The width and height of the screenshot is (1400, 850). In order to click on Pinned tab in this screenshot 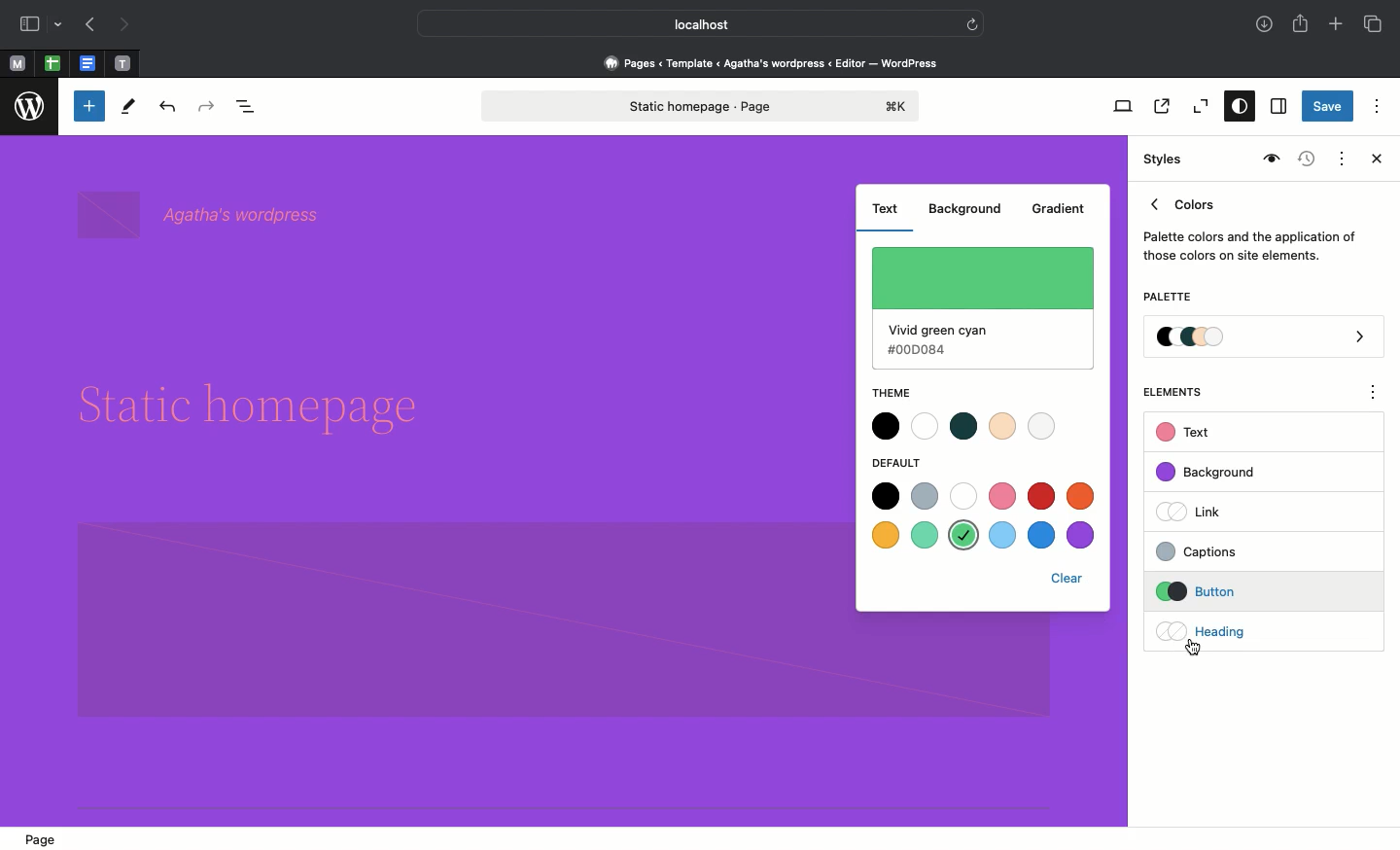, I will do `click(89, 64)`.